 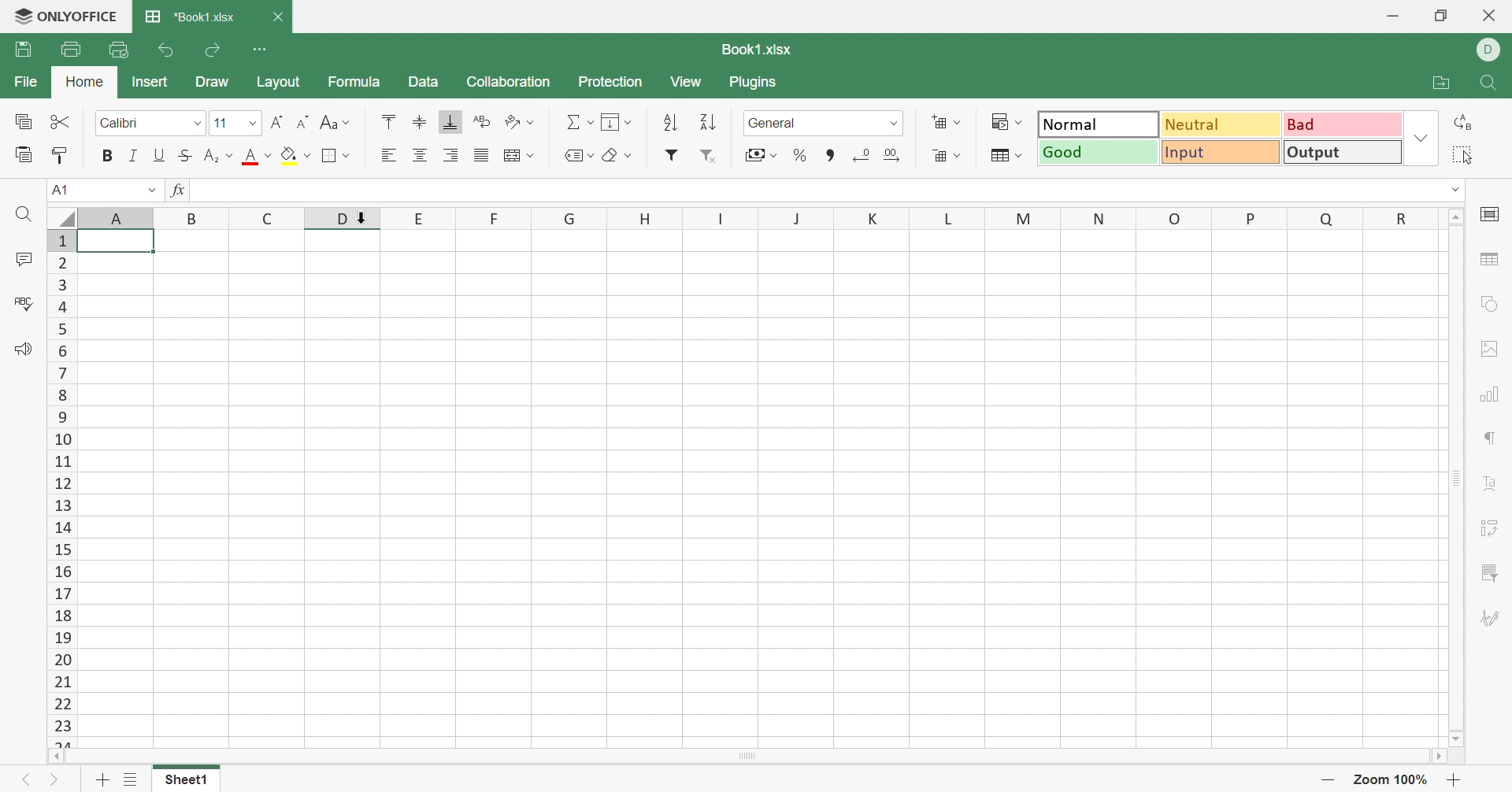 What do you see at coordinates (151, 82) in the screenshot?
I see `Insert` at bounding box center [151, 82].